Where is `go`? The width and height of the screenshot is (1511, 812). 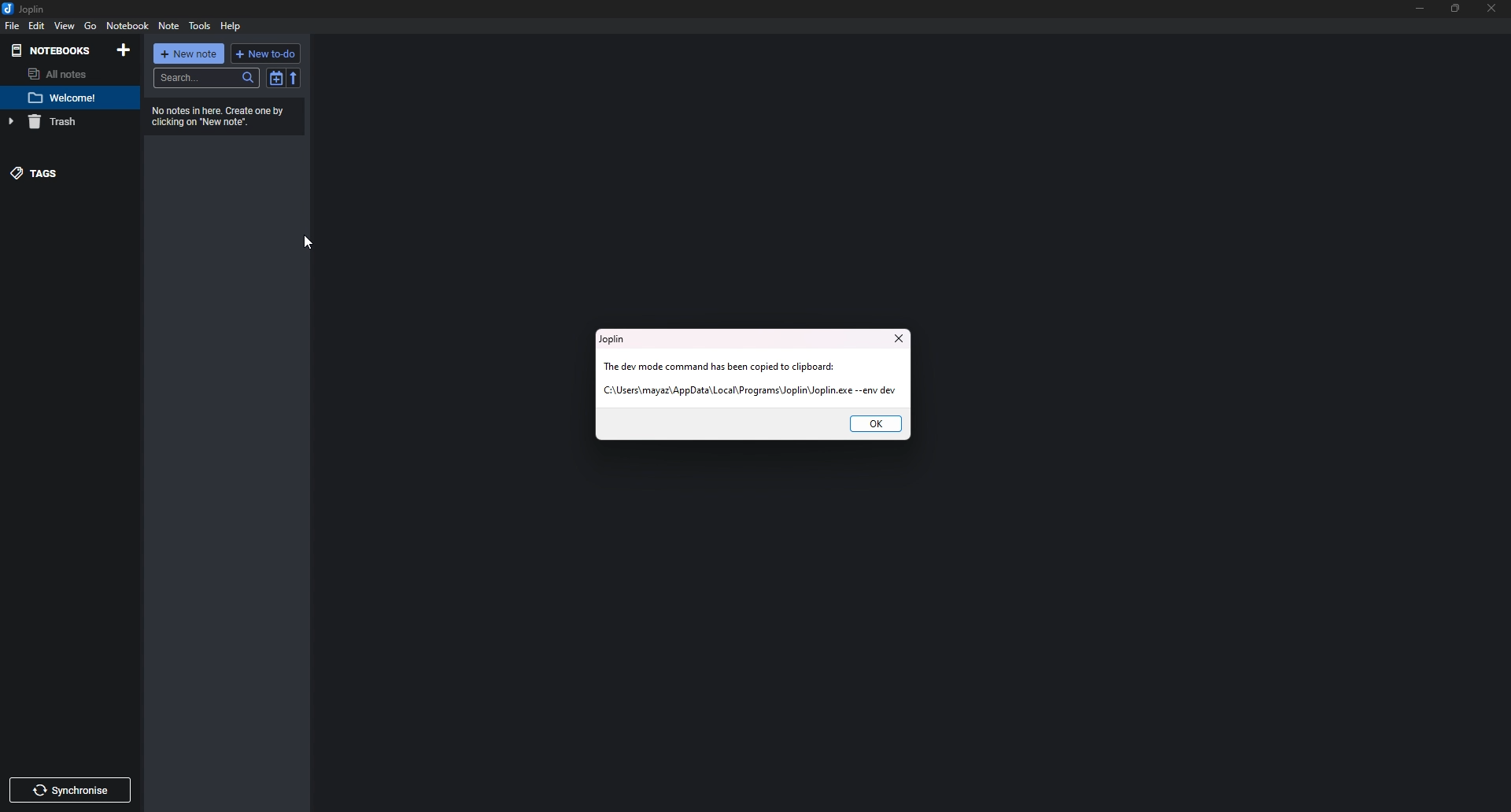 go is located at coordinates (91, 27).